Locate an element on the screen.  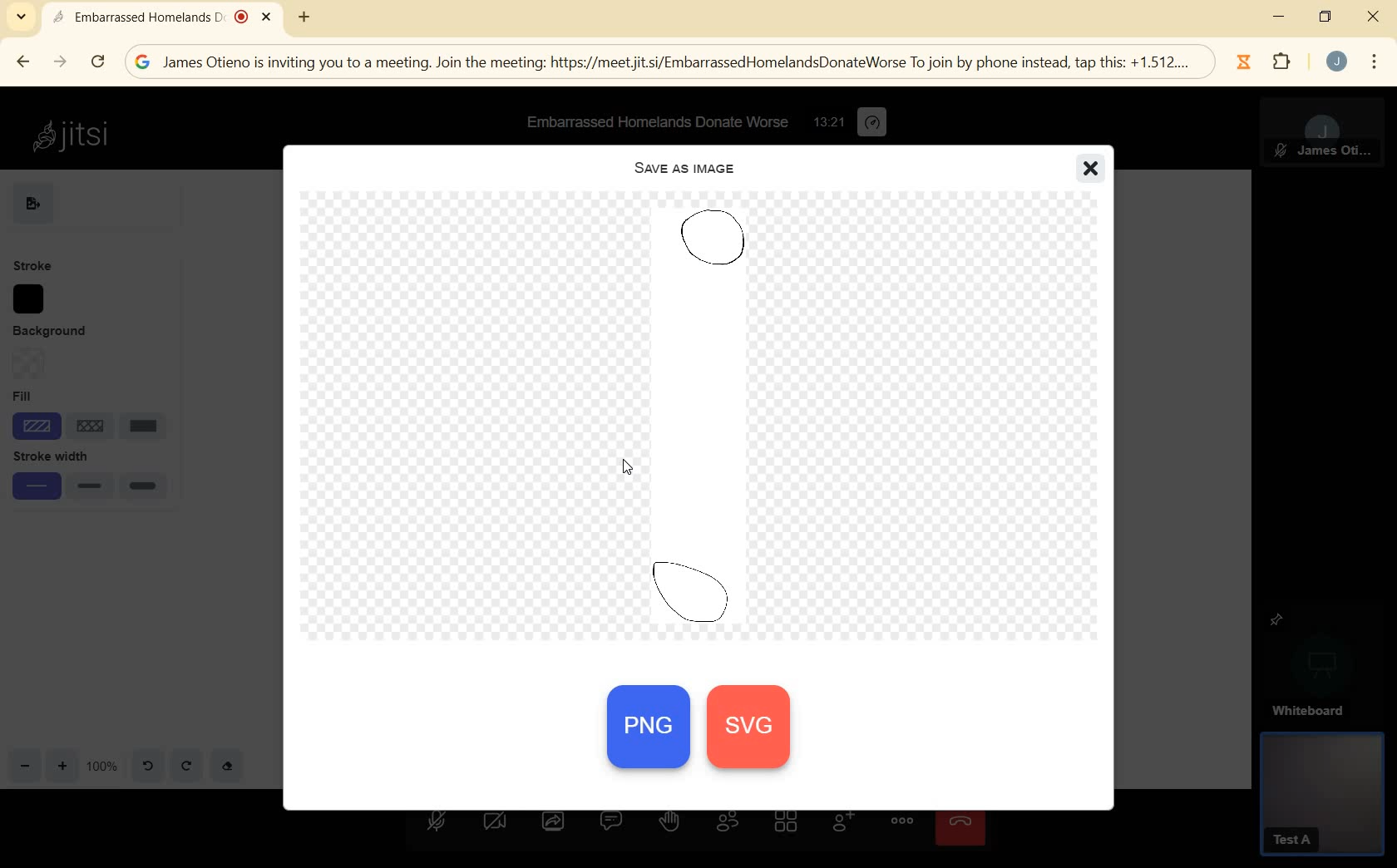
stroke color is located at coordinates (33, 300).